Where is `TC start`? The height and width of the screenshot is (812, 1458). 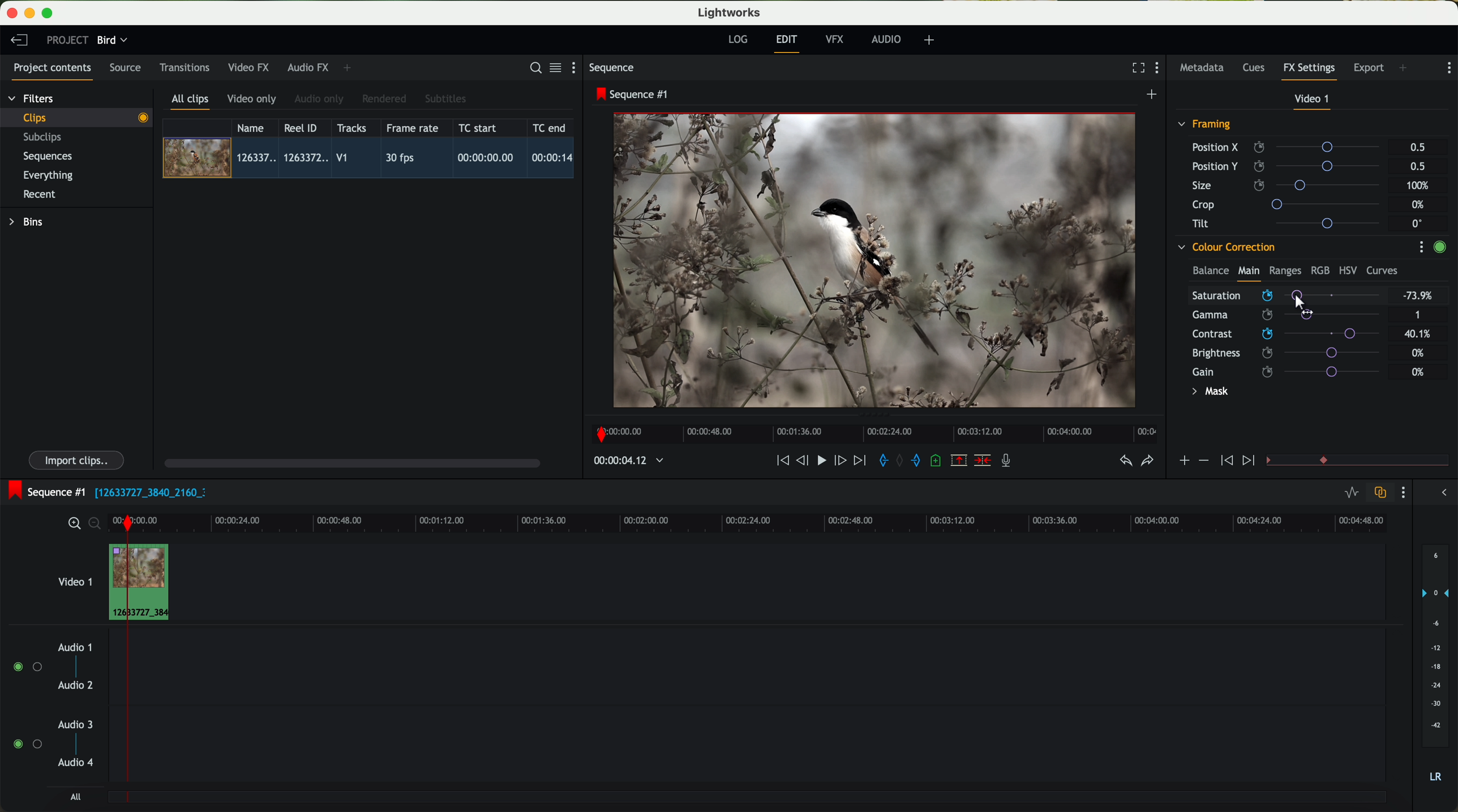
TC start is located at coordinates (479, 127).